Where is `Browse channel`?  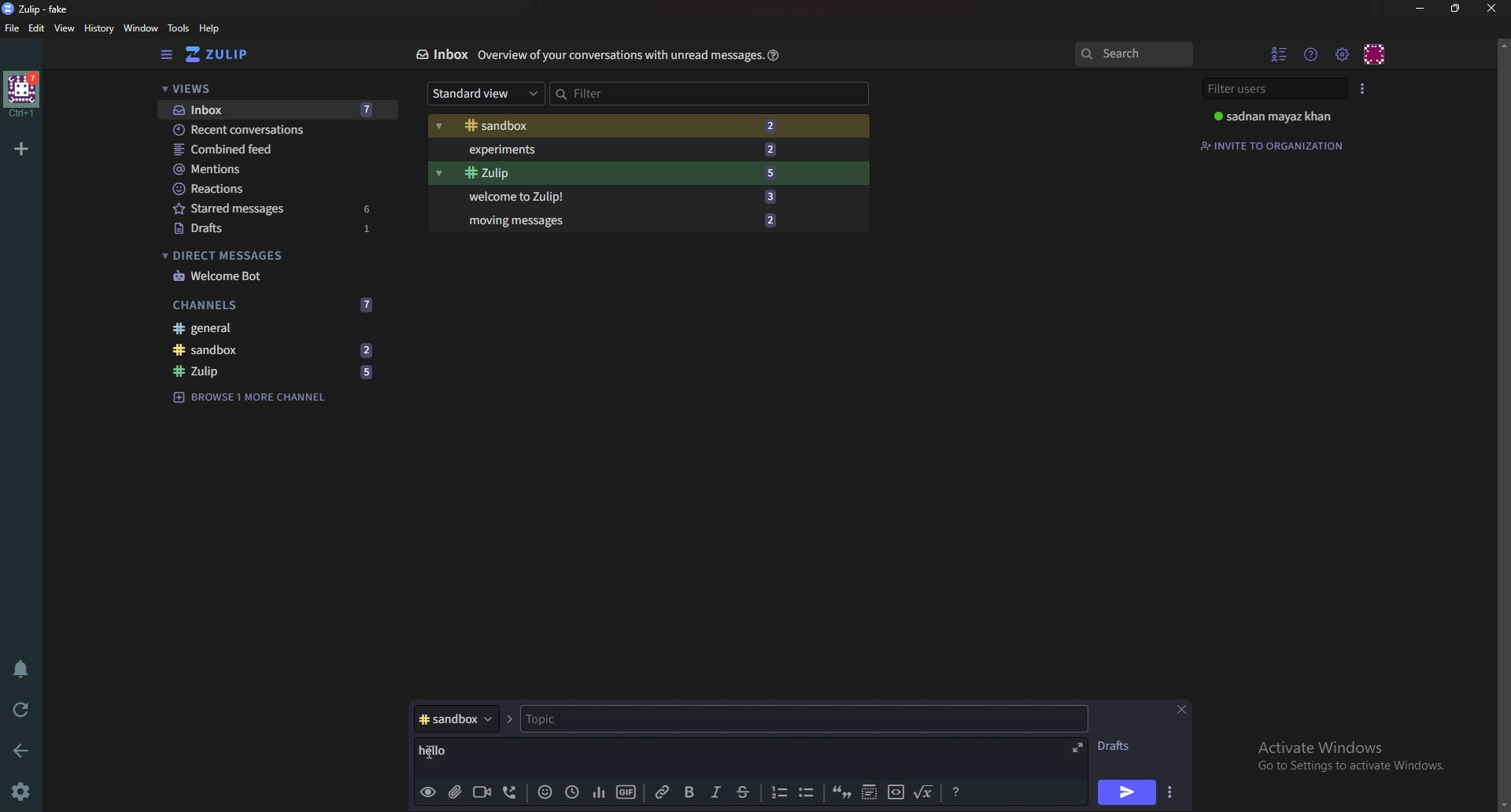 Browse channel is located at coordinates (252, 401).